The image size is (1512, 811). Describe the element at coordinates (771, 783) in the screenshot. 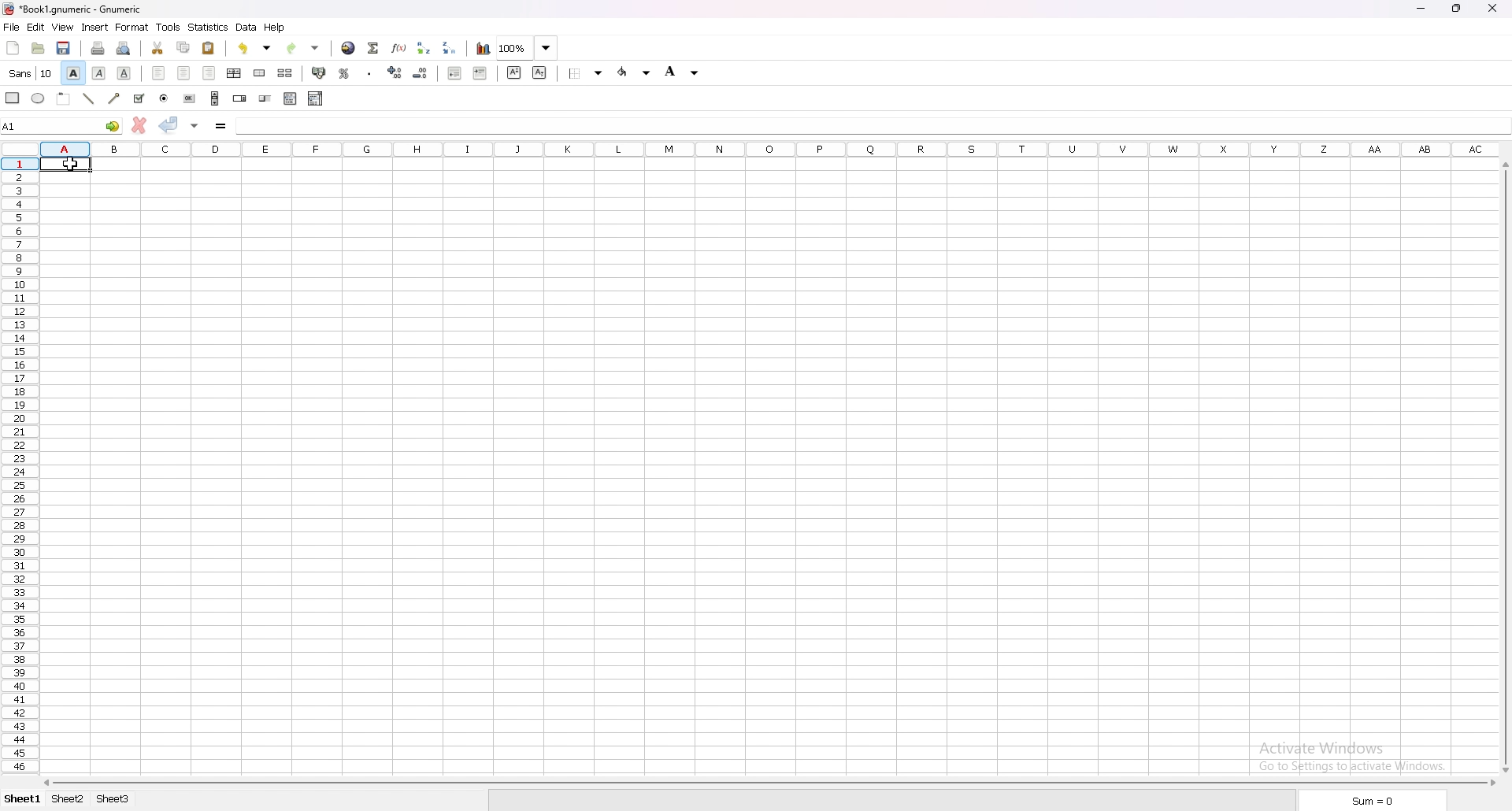

I see `scroll bar` at that location.